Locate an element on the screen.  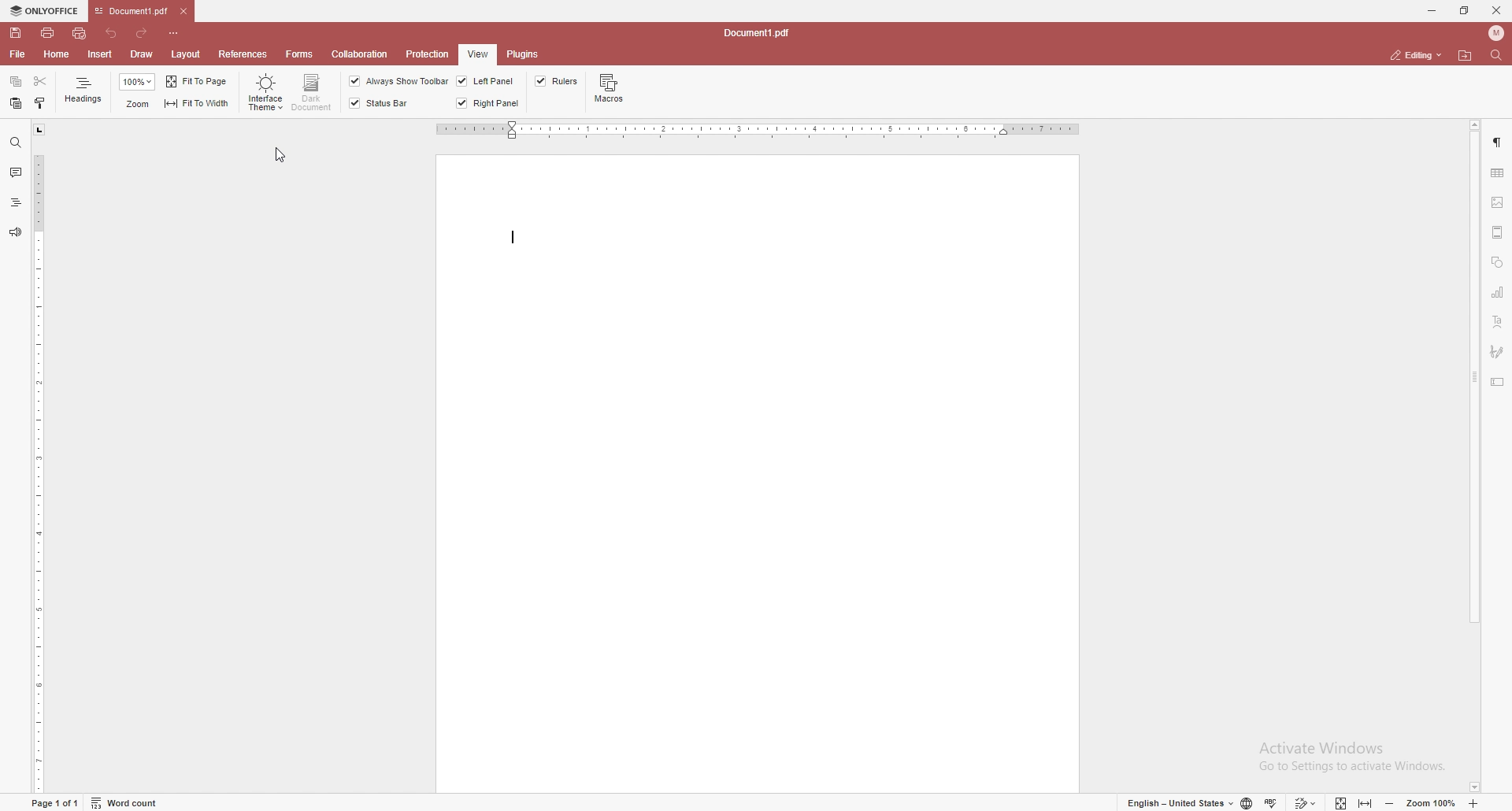
heading is located at coordinates (16, 202).